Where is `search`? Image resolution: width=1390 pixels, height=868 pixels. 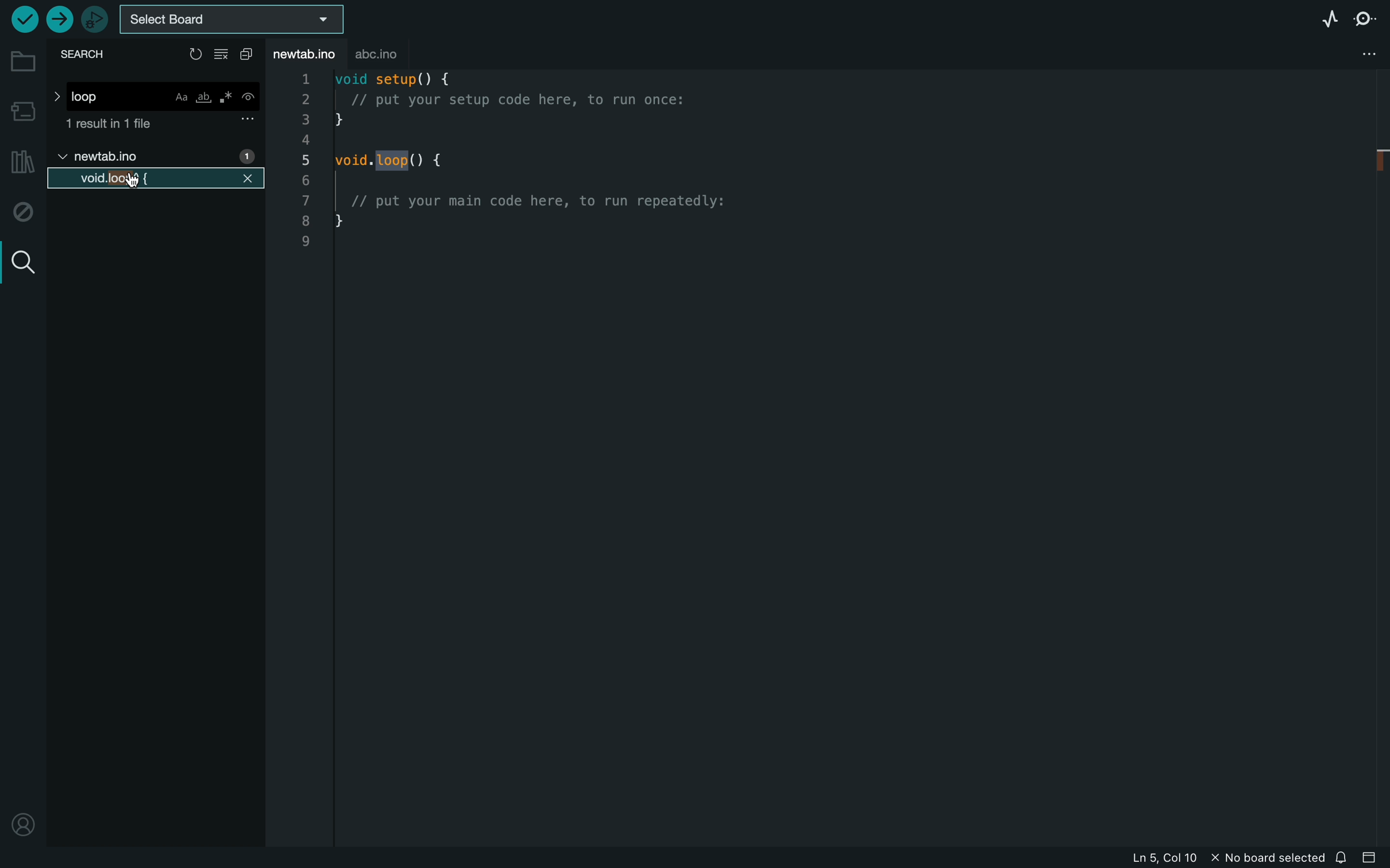
search is located at coordinates (87, 56).